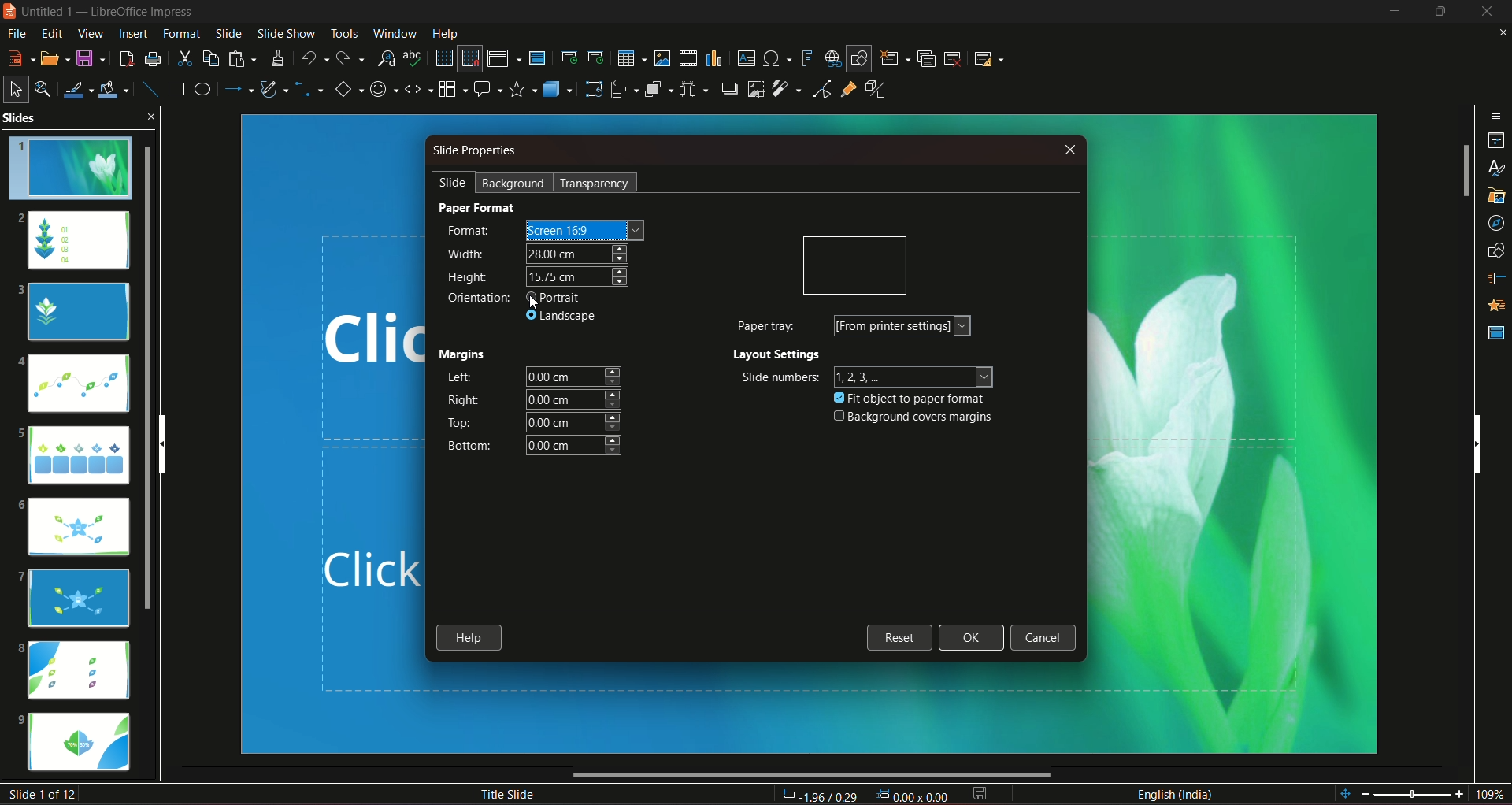 This screenshot has height=805, width=1512. I want to click on cut, so click(184, 57).